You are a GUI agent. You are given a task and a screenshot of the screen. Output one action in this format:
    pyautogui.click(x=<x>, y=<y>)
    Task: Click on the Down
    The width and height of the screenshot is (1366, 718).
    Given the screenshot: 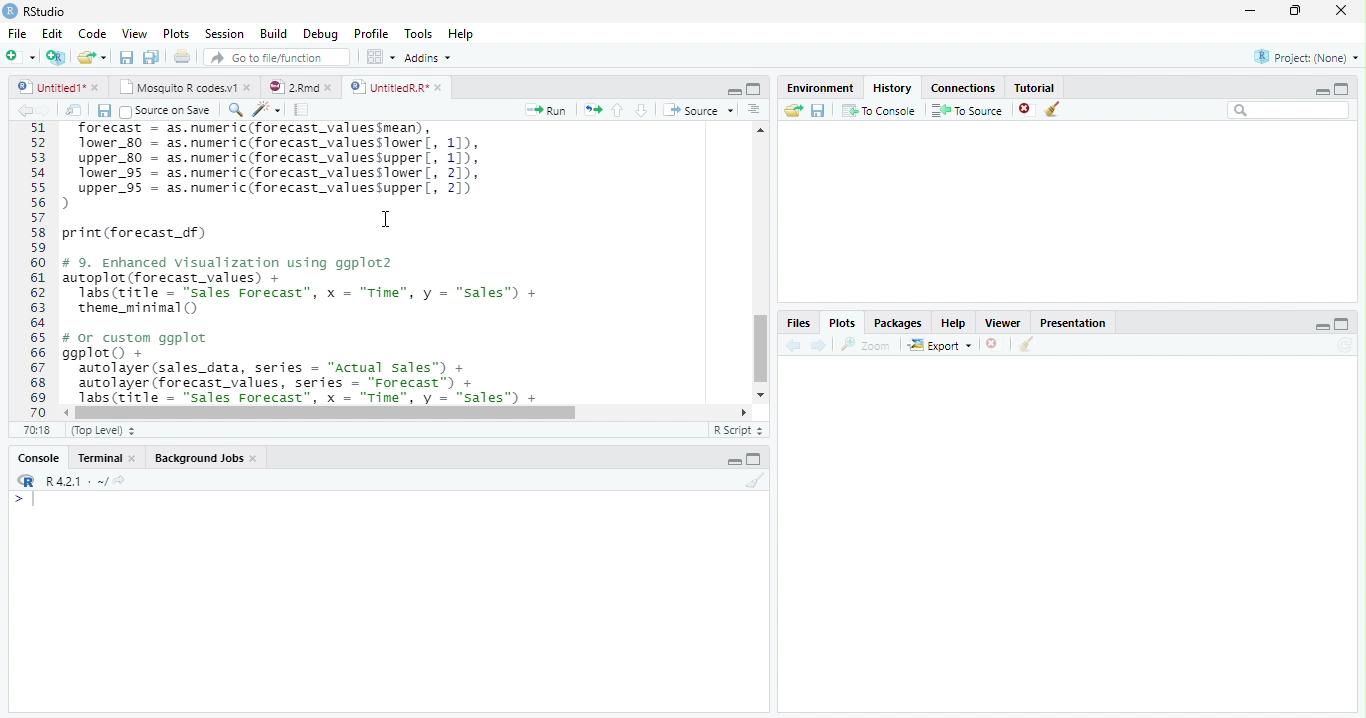 What is the action you would take?
    pyautogui.click(x=642, y=111)
    